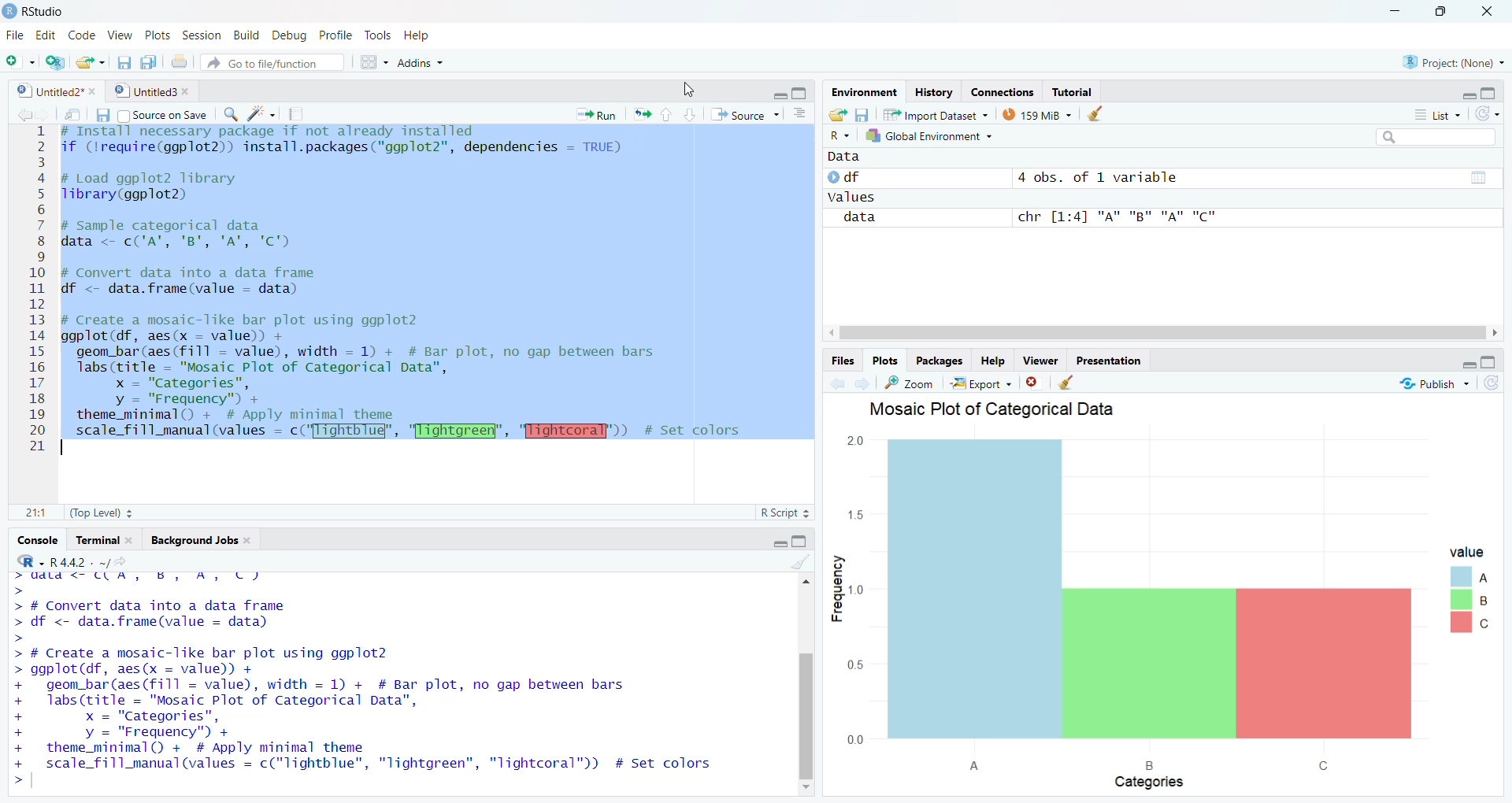  Describe the element at coordinates (102, 512) in the screenshot. I see `Top Level` at that location.